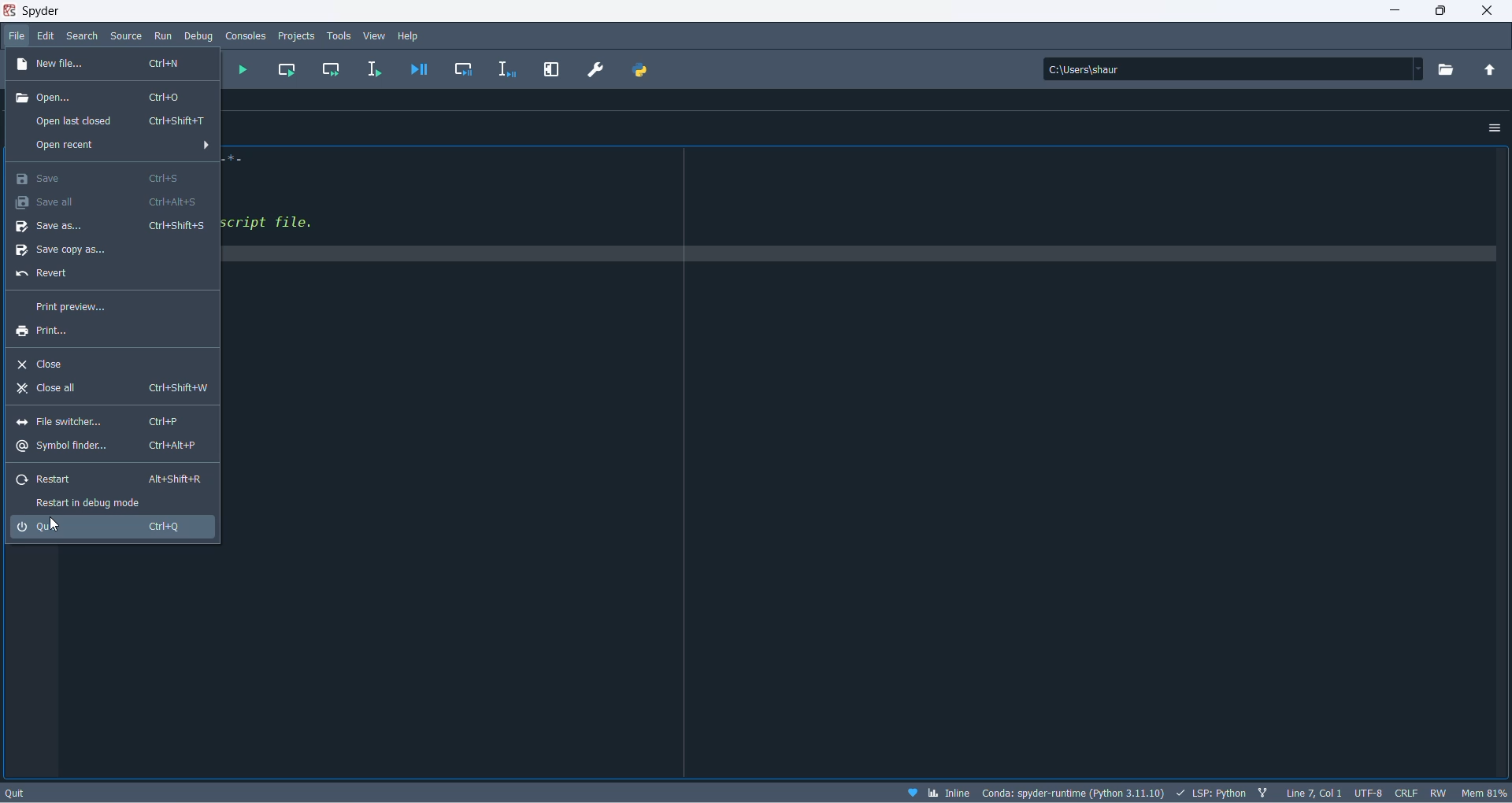 The image size is (1512, 803). Describe the element at coordinates (1491, 67) in the screenshot. I see `parent directory` at that location.